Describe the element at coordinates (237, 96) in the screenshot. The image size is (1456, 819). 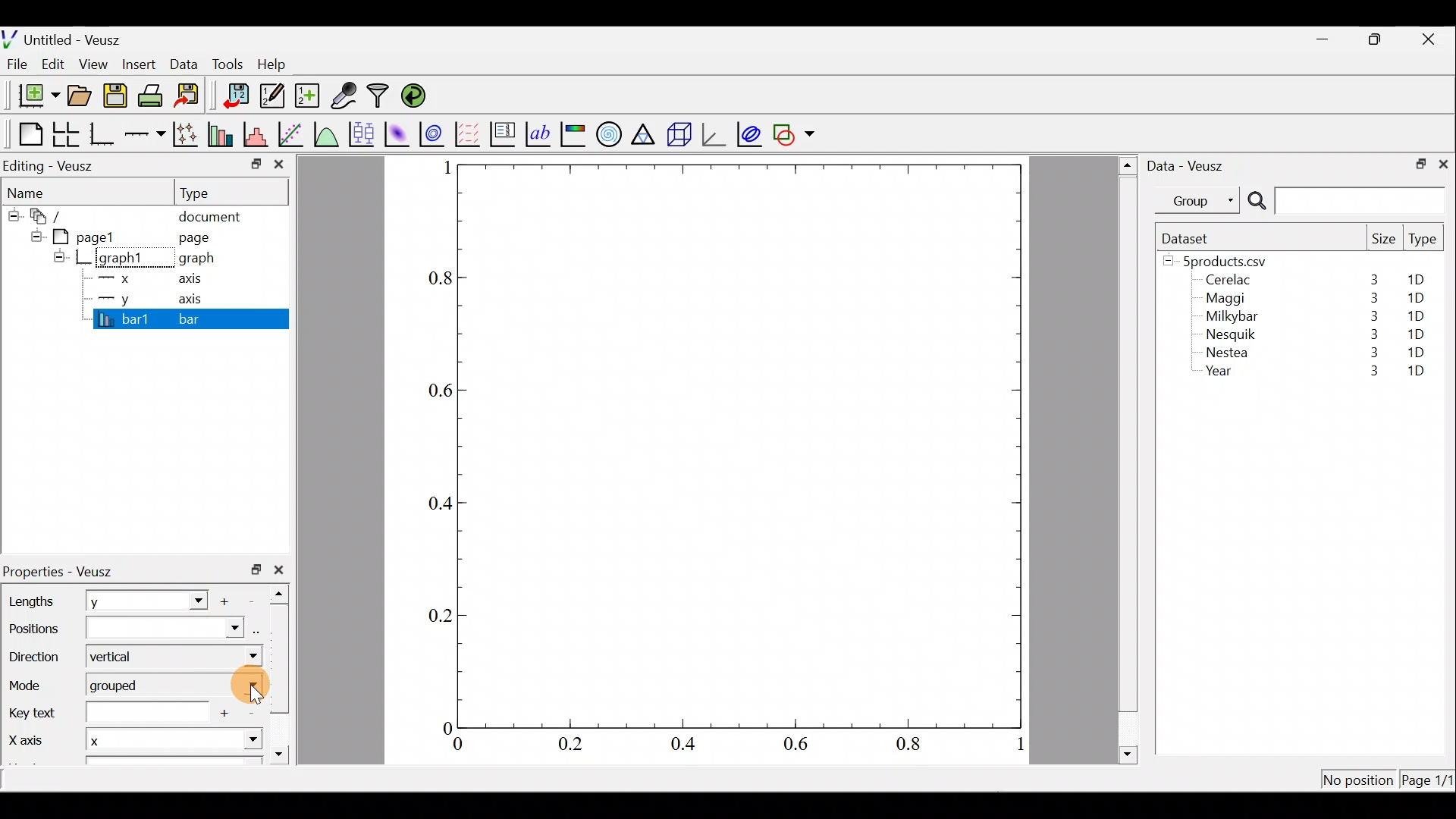
I see `Import data into veusz` at that location.